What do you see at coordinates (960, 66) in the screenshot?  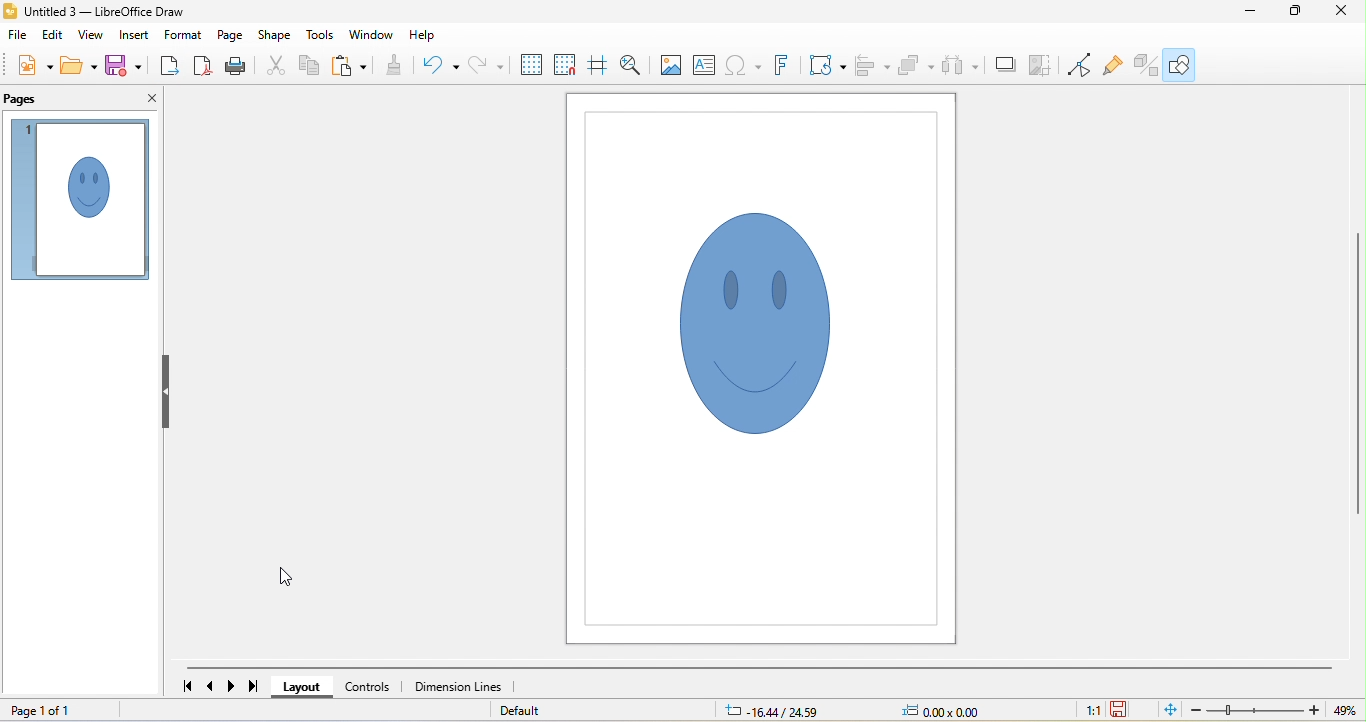 I see `select atleast three objects to attribute` at bounding box center [960, 66].